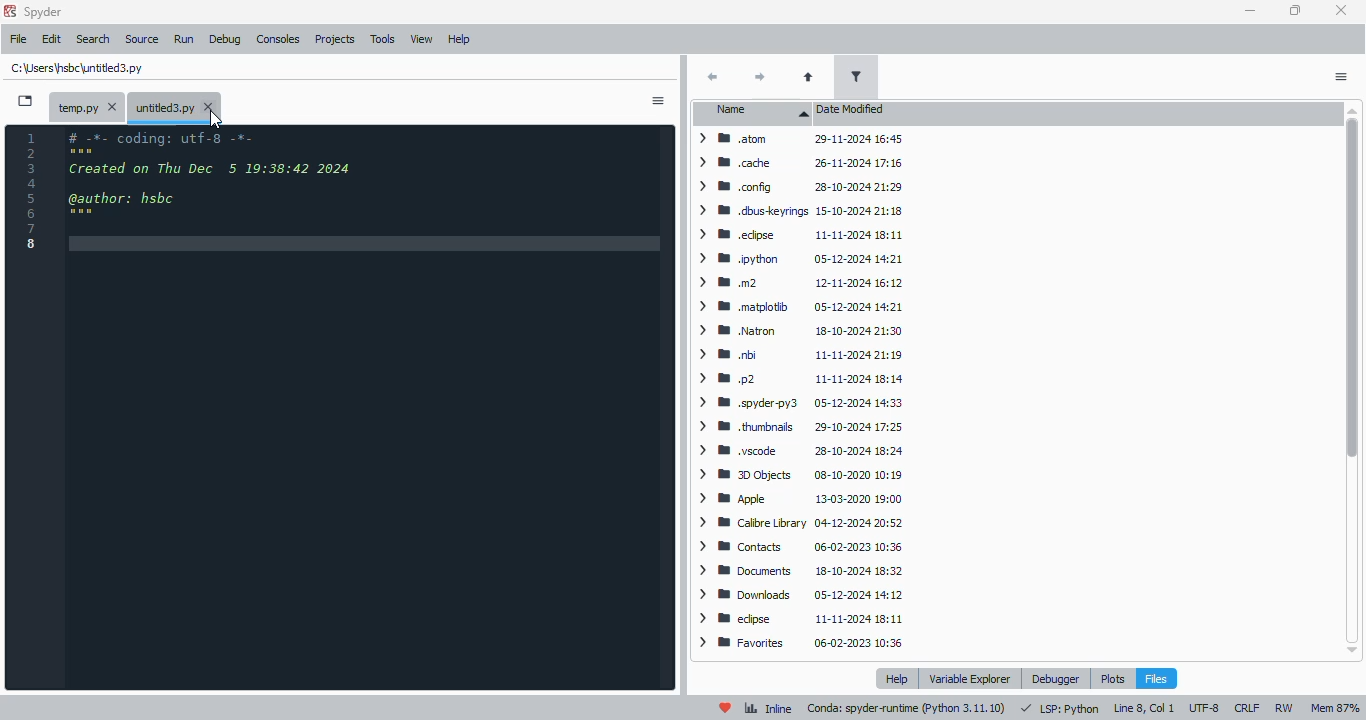 This screenshot has width=1366, height=720. Describe the element at coordinates (896, 679) in the screenshot. I see `help` at that location.